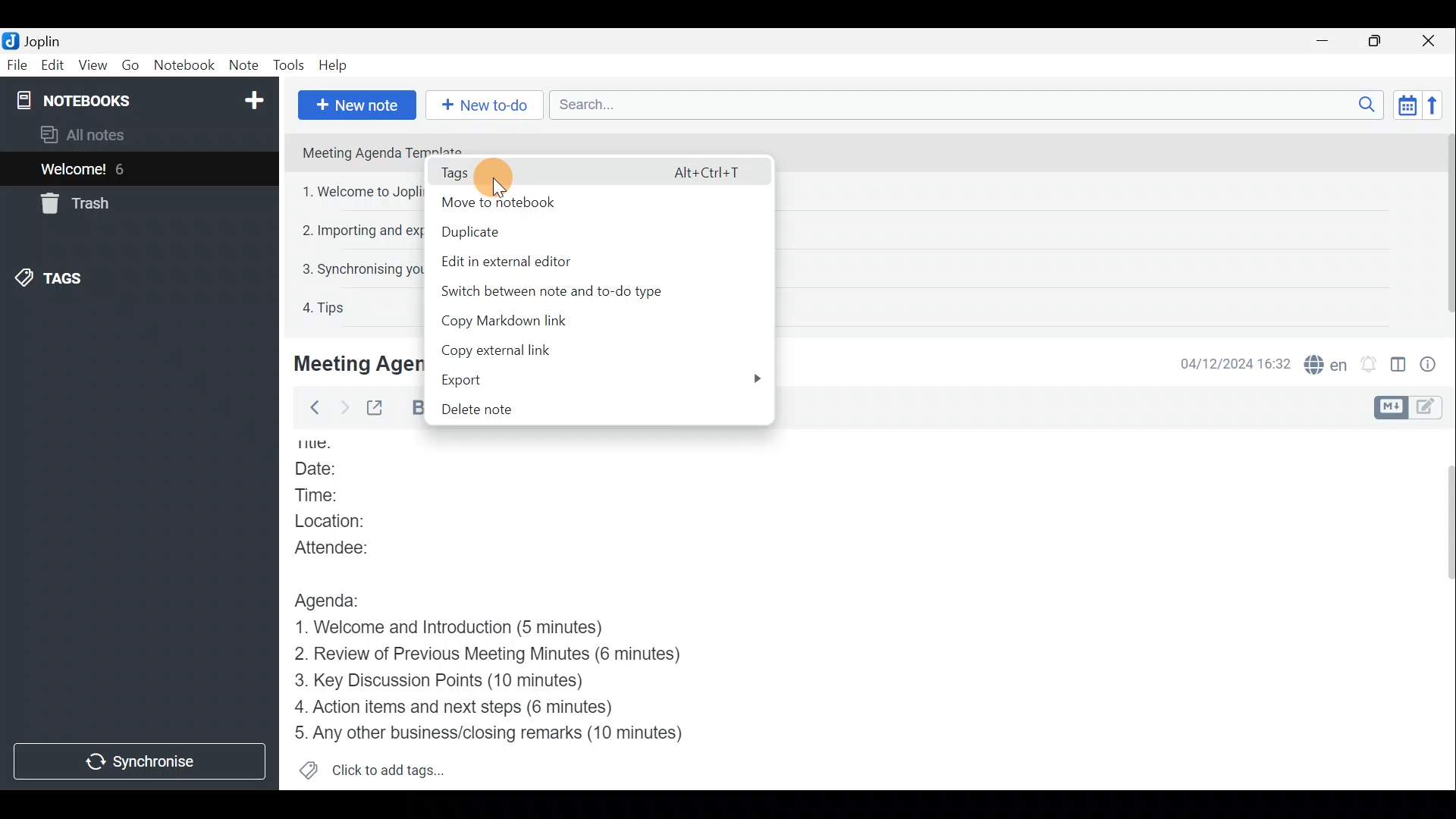  Describe the element at coordinates (1228, 362) in the screenshot. I see `04/12/2024 16:32` at that location.